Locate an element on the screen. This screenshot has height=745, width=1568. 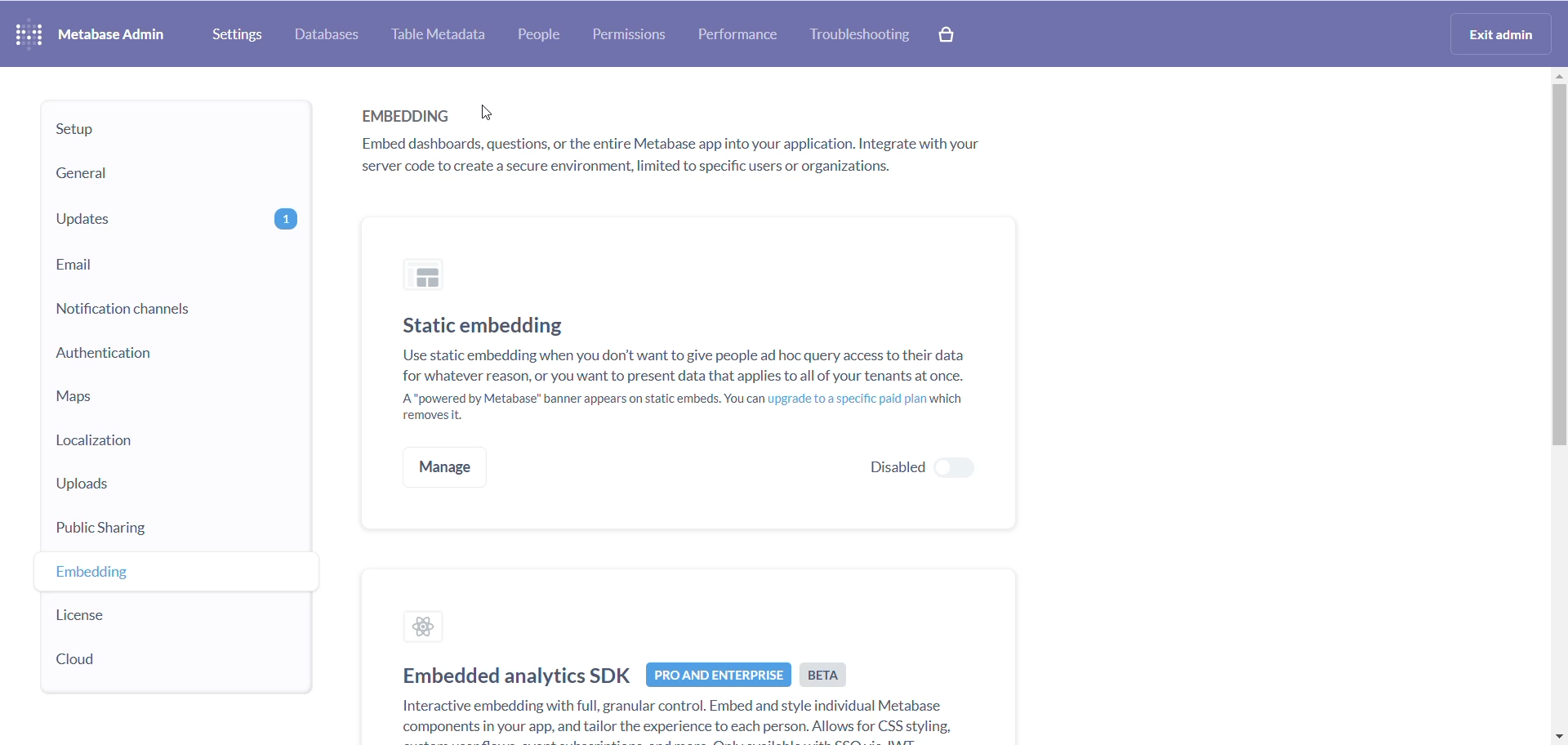
people is located at coordinates (536, 37).